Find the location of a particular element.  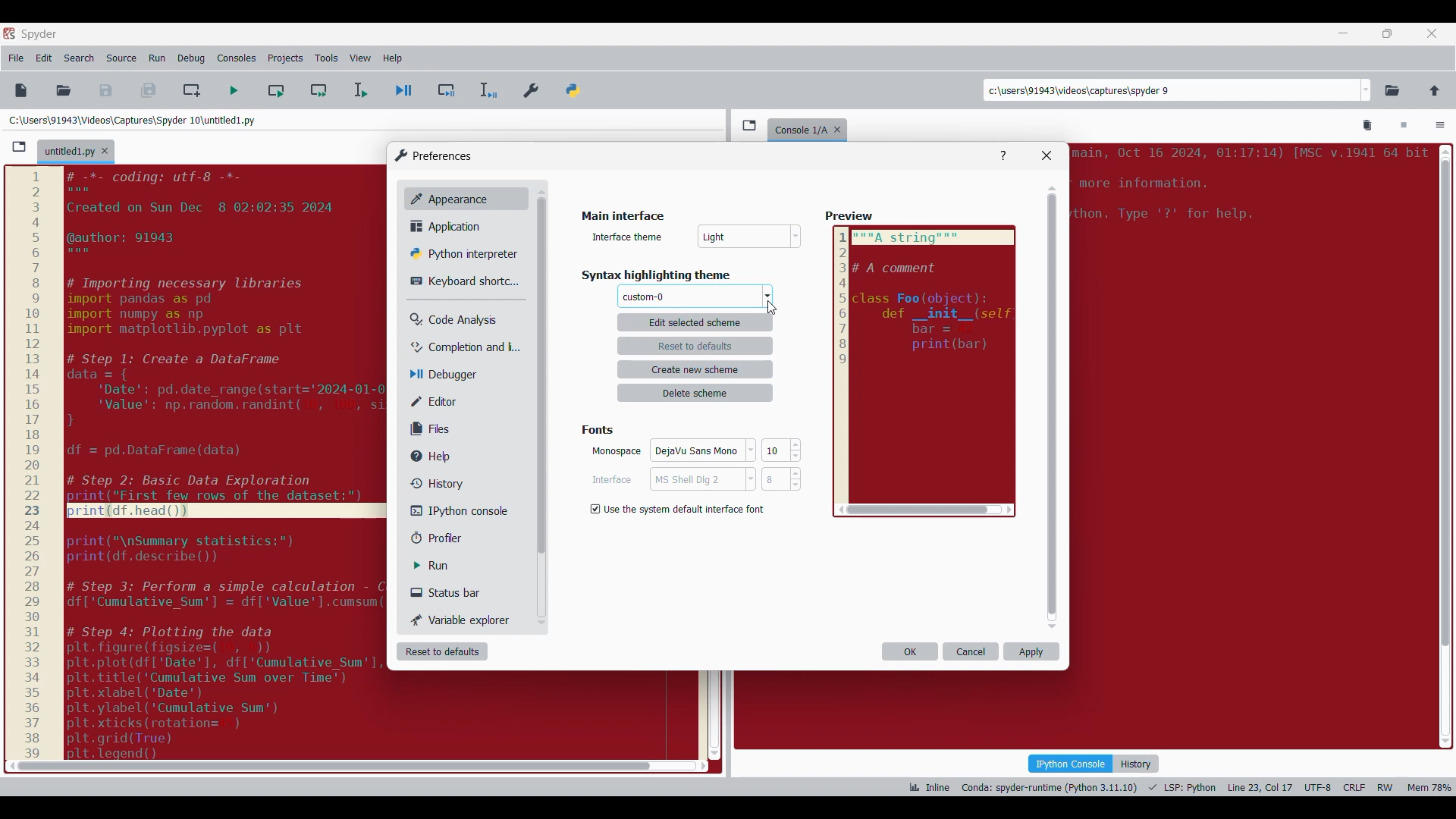

Debug menu is located at coordinates (191, 58).